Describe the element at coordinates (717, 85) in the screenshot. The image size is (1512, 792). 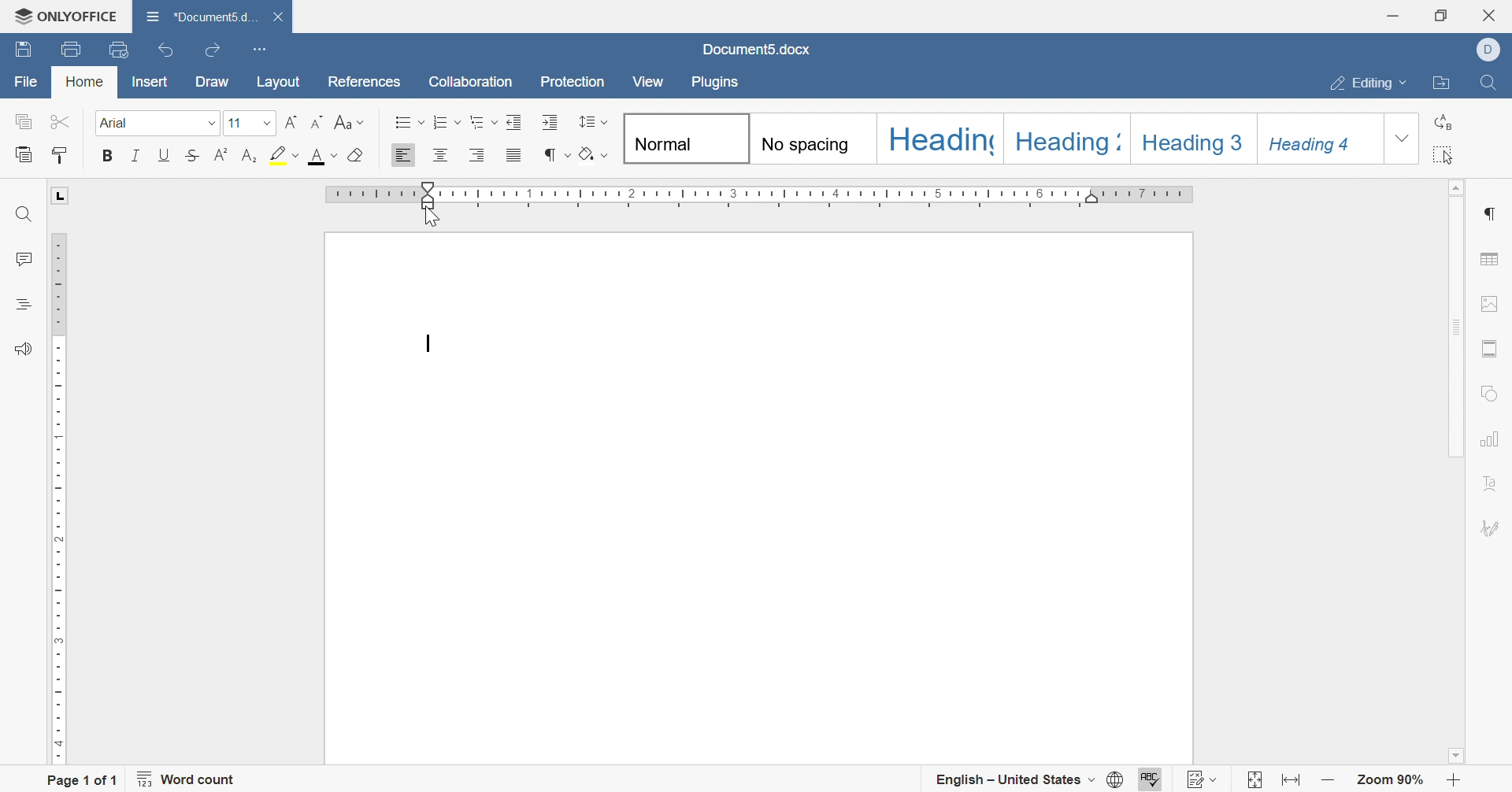
I see `plugins` at that location.